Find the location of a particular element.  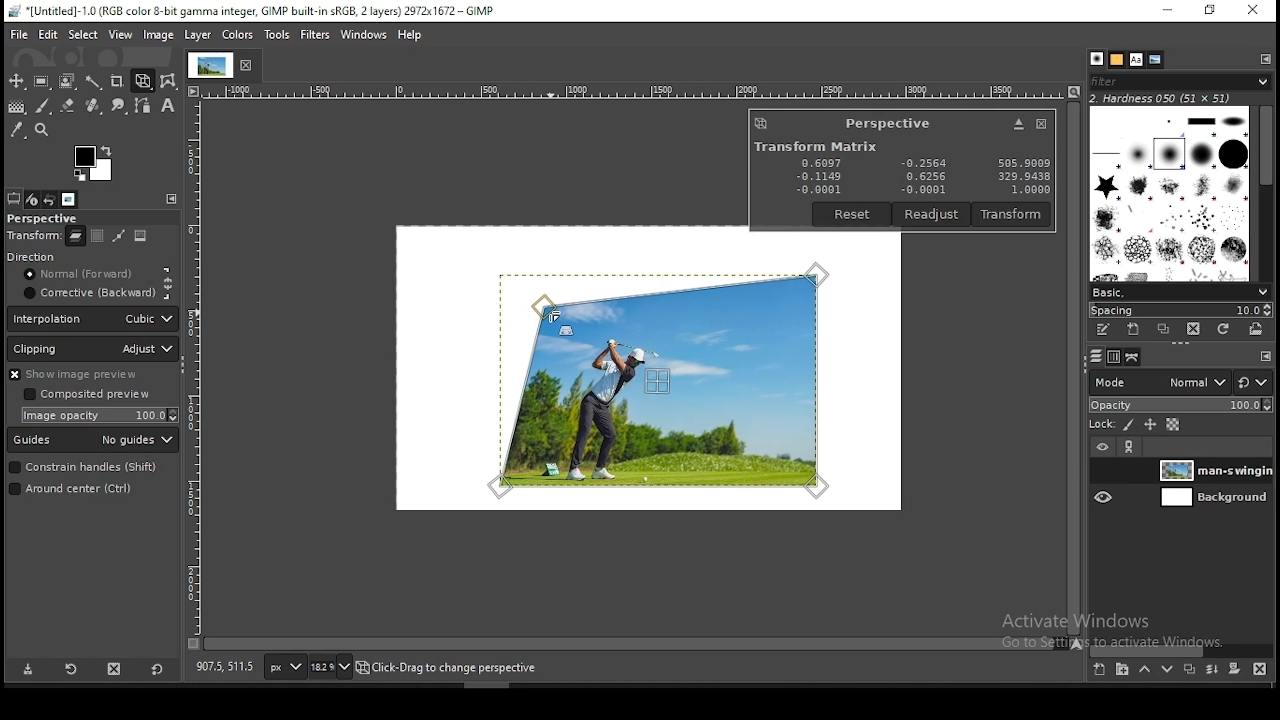

new layer is located at coordinates (1098, 669).